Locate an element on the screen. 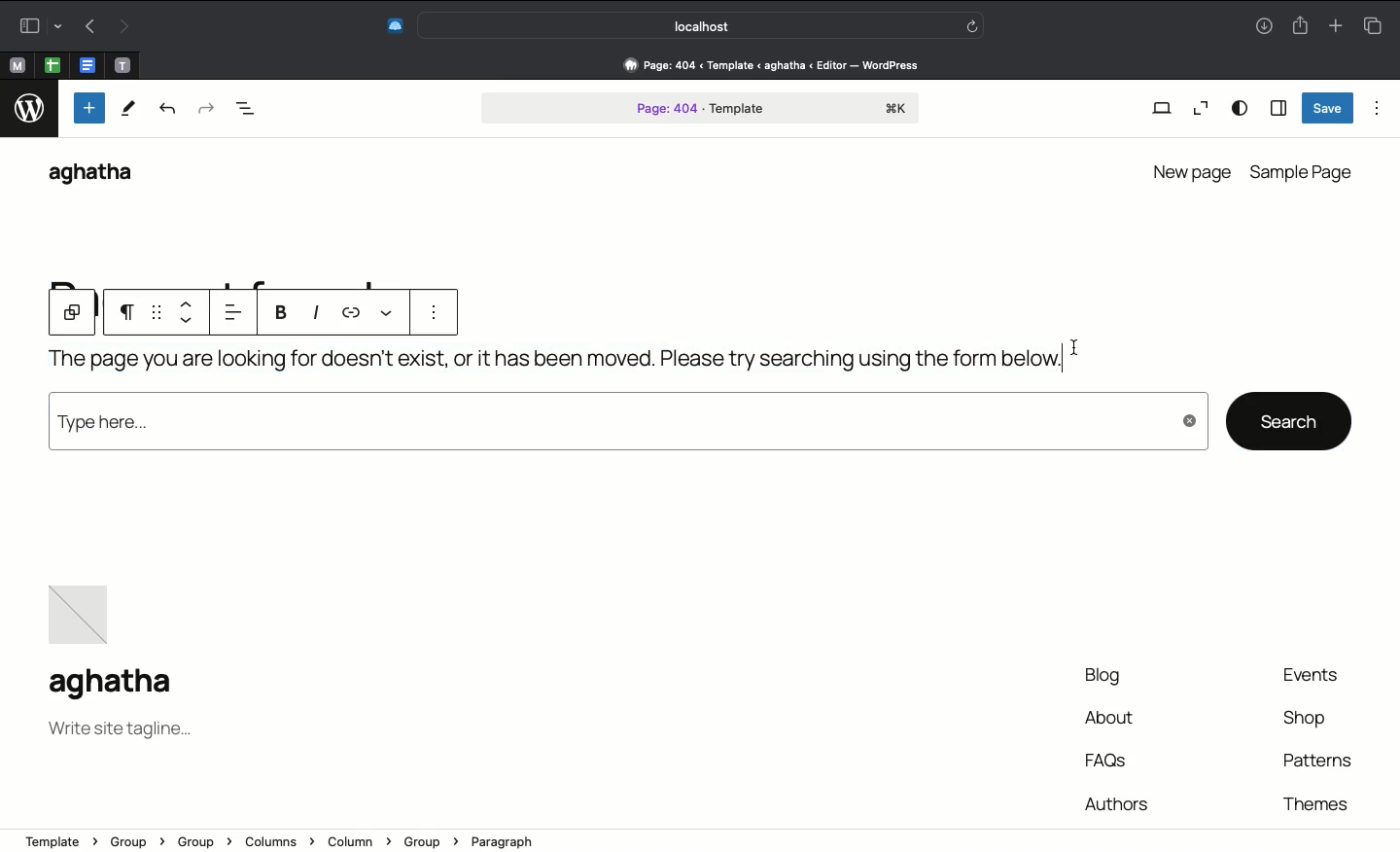  Tools is located at coordinates (127, 109).